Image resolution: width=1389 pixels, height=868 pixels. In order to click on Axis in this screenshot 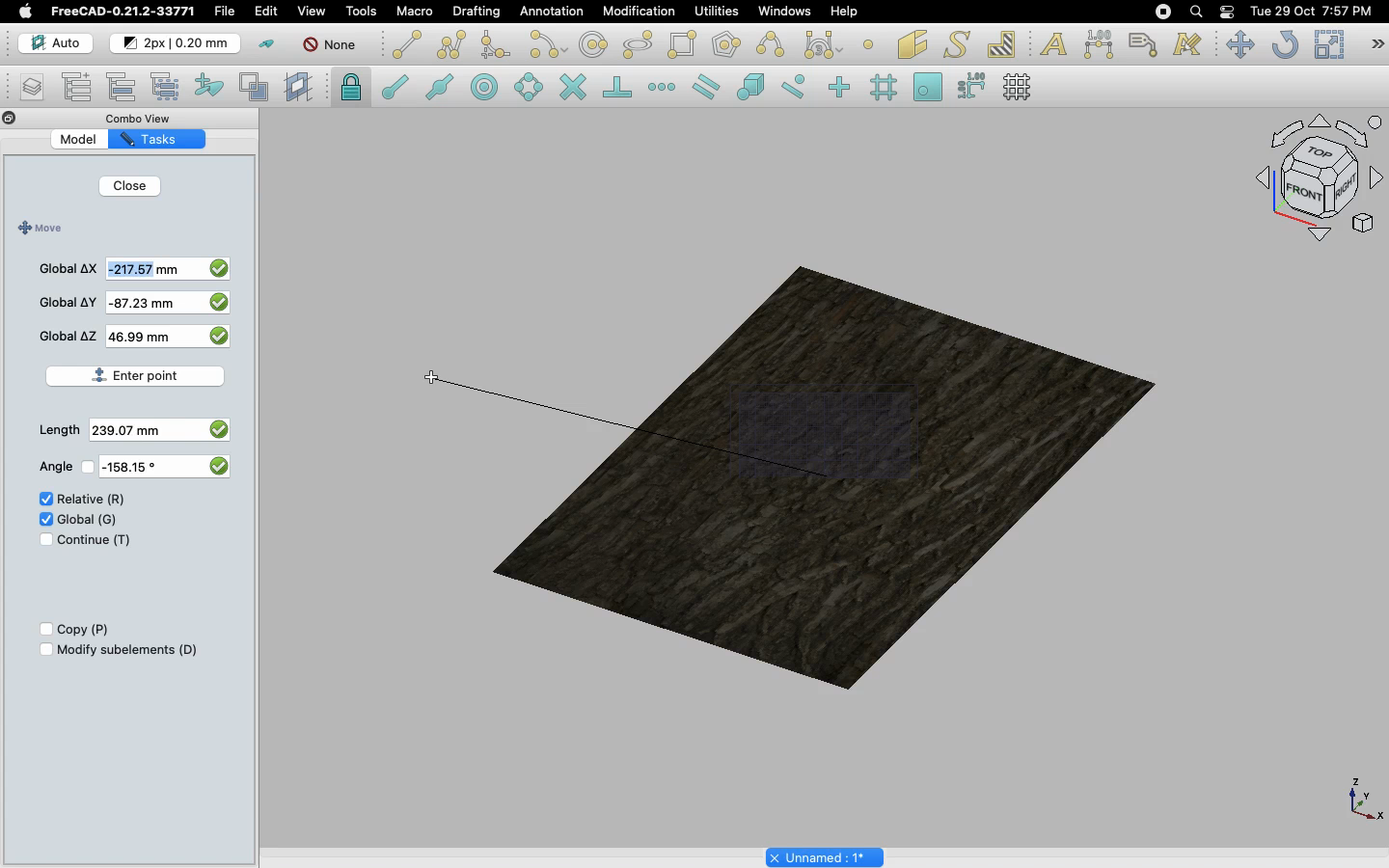, I will do `click(1361, 798)`.